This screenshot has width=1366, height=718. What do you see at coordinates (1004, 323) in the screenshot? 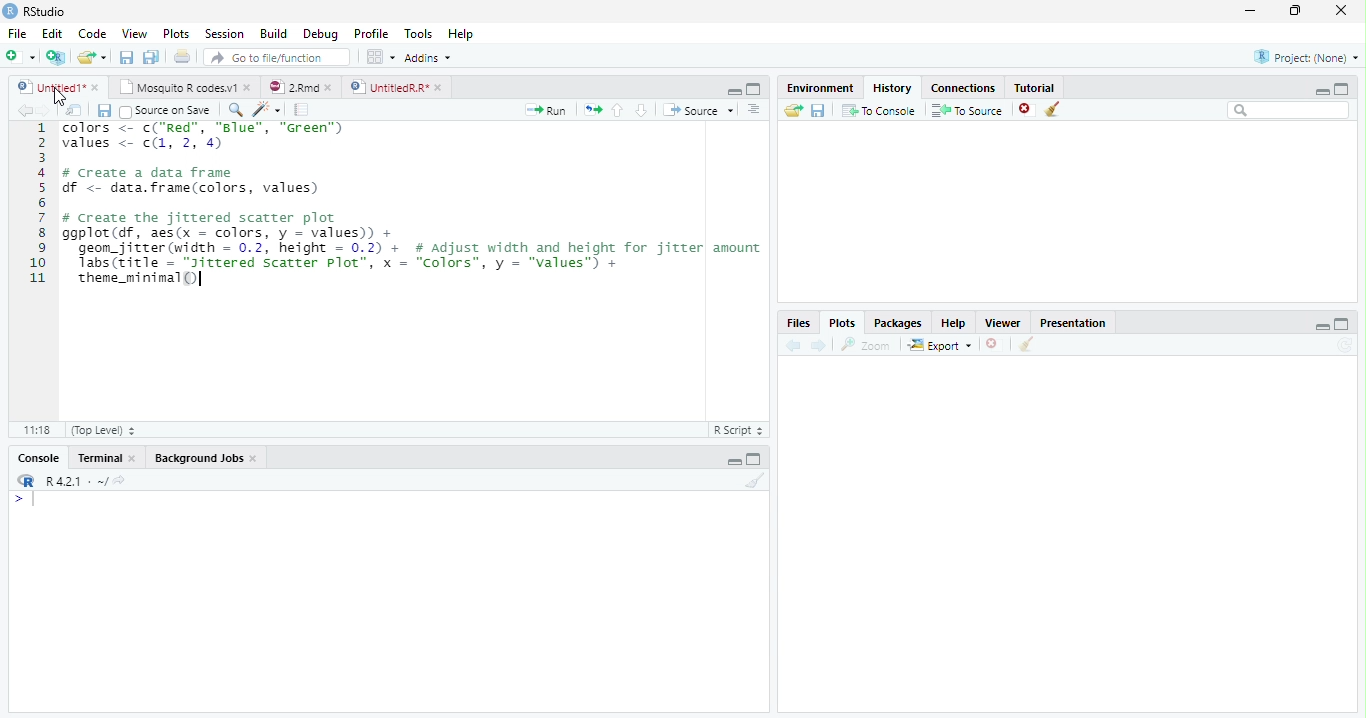
I see `Viewer` at bounding box center [1004, 323].